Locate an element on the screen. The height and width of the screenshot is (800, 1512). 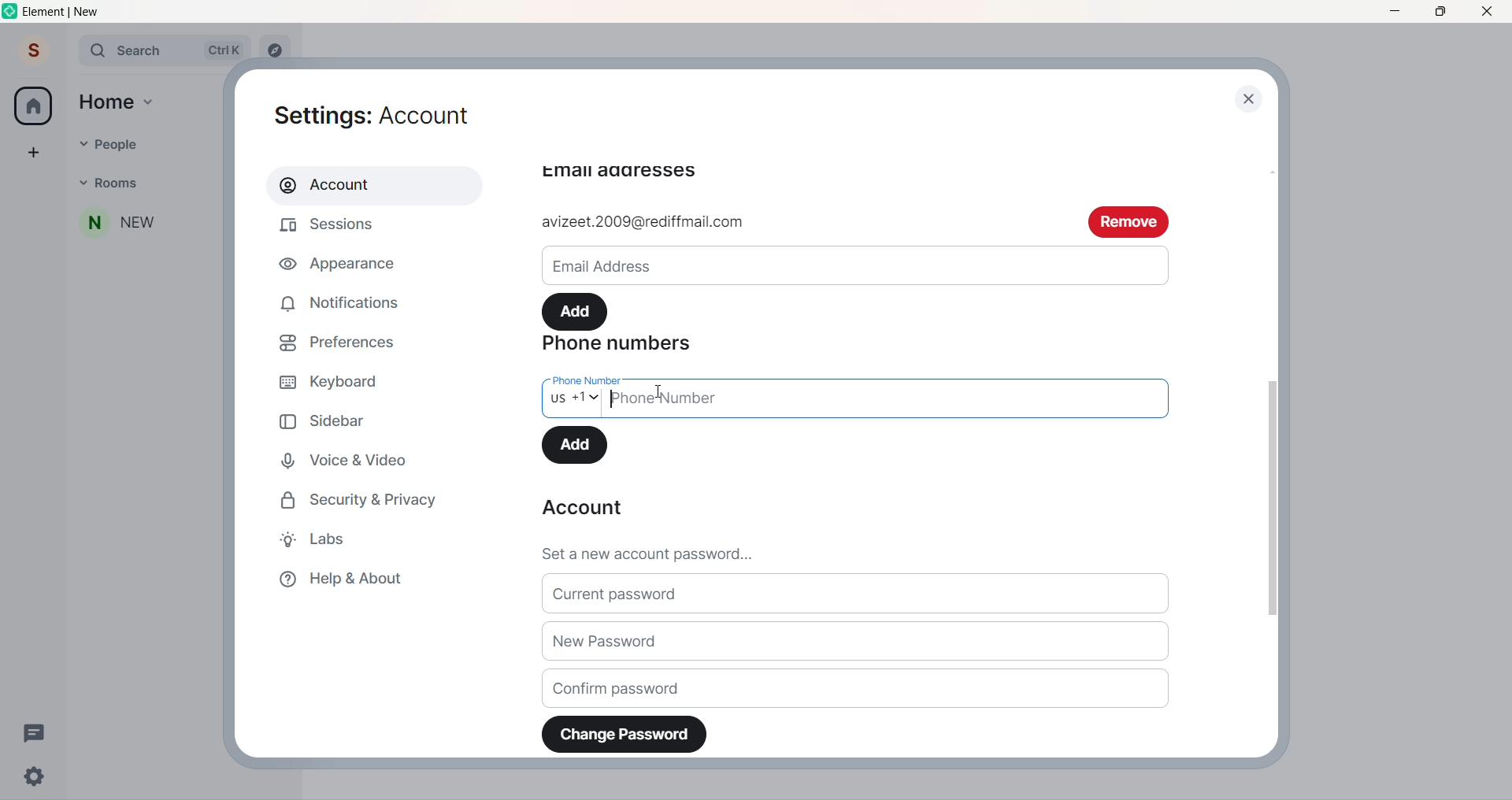
phone number is located at coordinates (583, 379).